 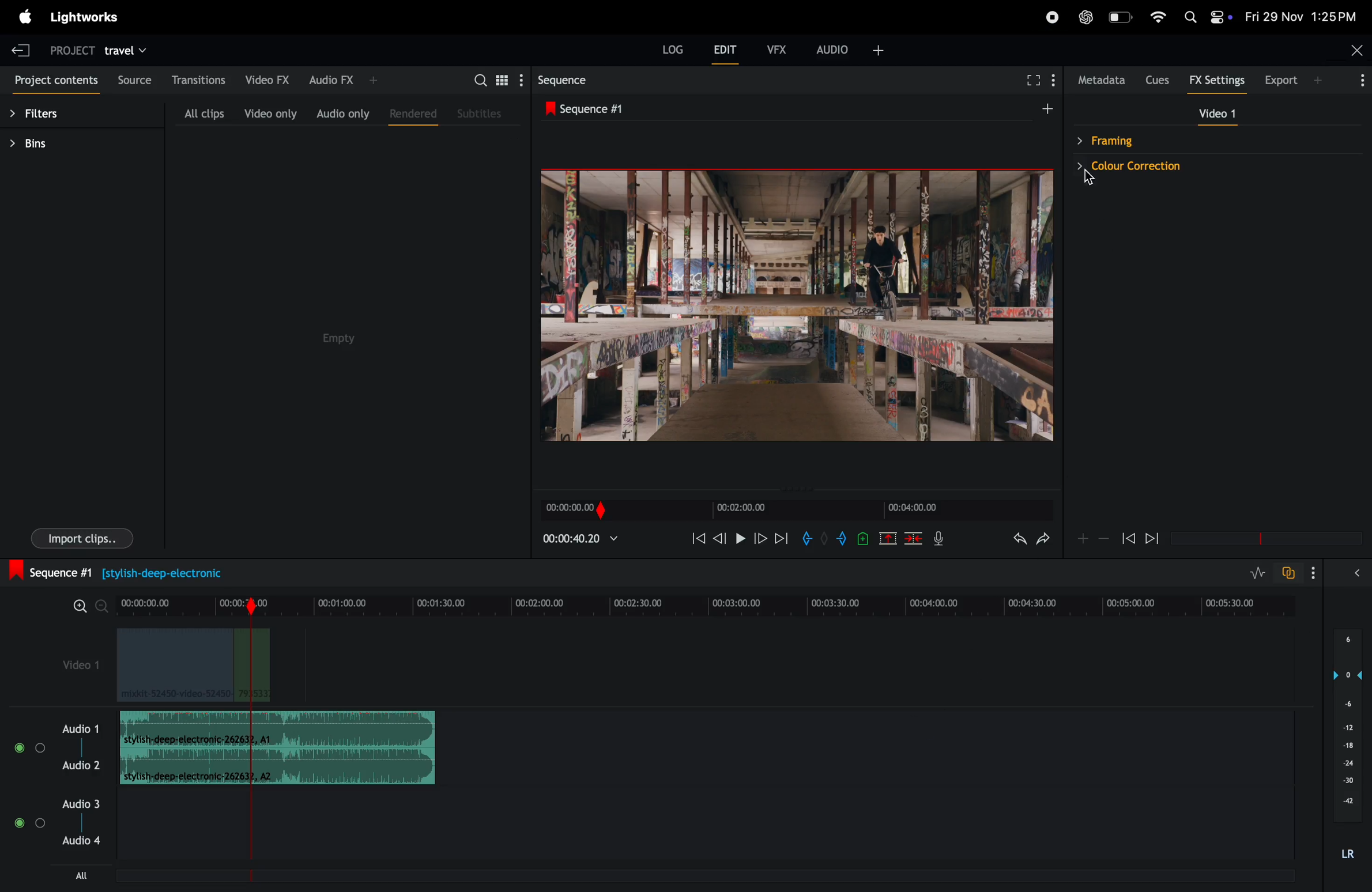 I want to click on zoom in zoom out, so click(x=1092, y=538).